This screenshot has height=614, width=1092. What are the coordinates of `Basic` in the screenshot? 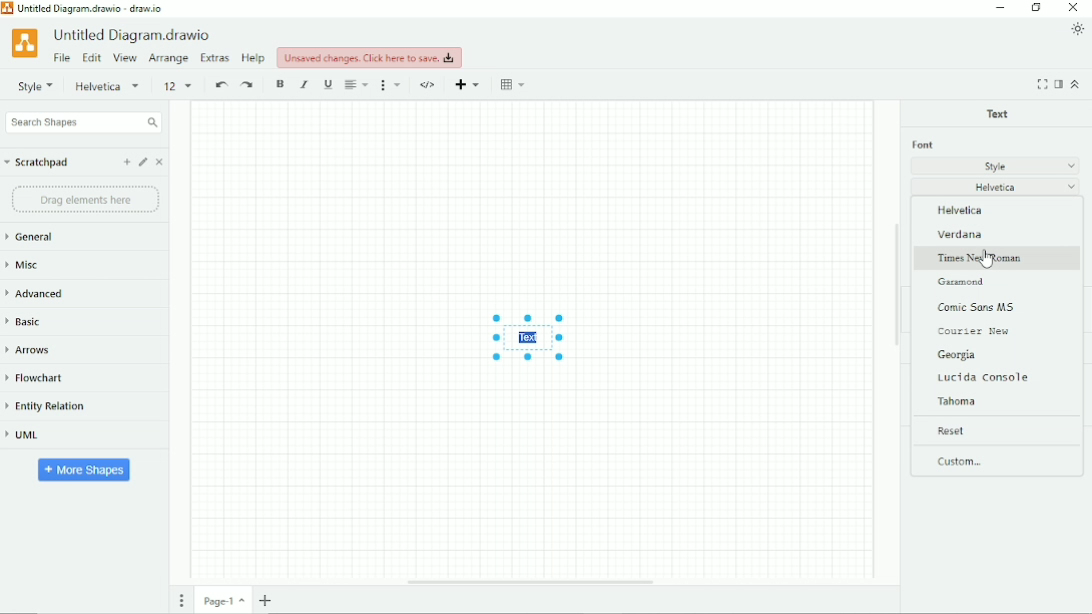 It's located at (38, 321).